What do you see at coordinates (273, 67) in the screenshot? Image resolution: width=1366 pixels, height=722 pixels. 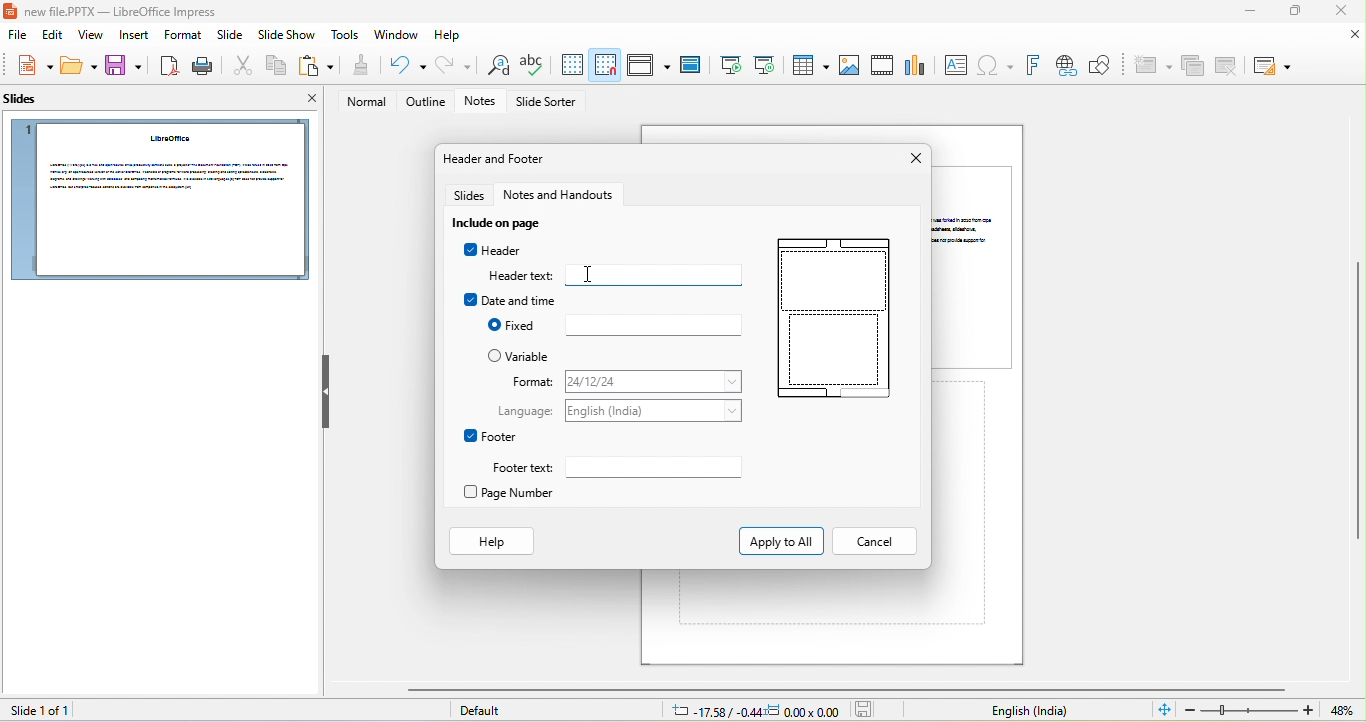 I see `copy` at bounding box center [273, 67].